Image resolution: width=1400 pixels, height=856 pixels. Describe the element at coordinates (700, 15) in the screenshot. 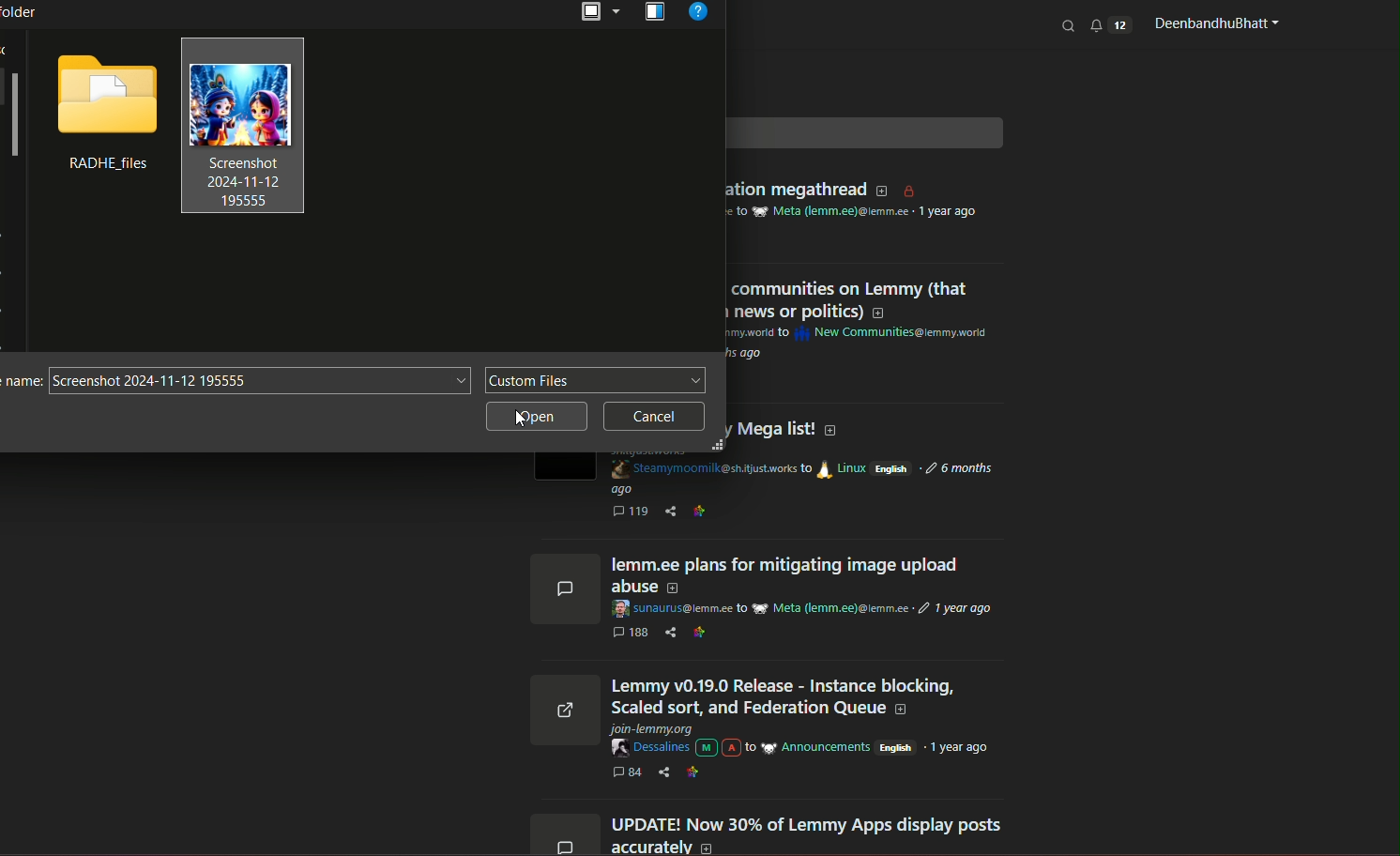

I see `help` at that location.